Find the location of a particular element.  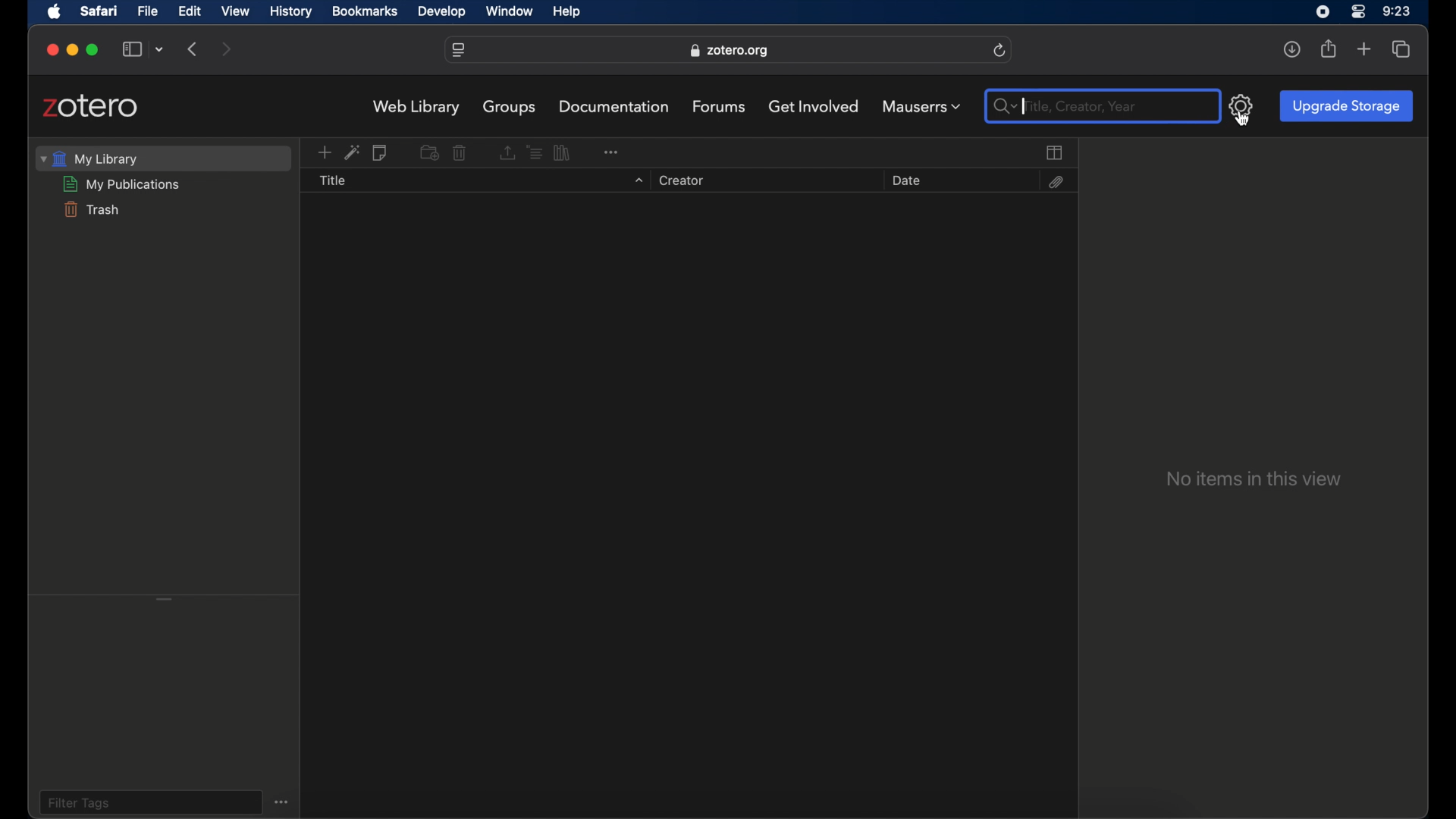

time is located at coordinates (1397, 11).